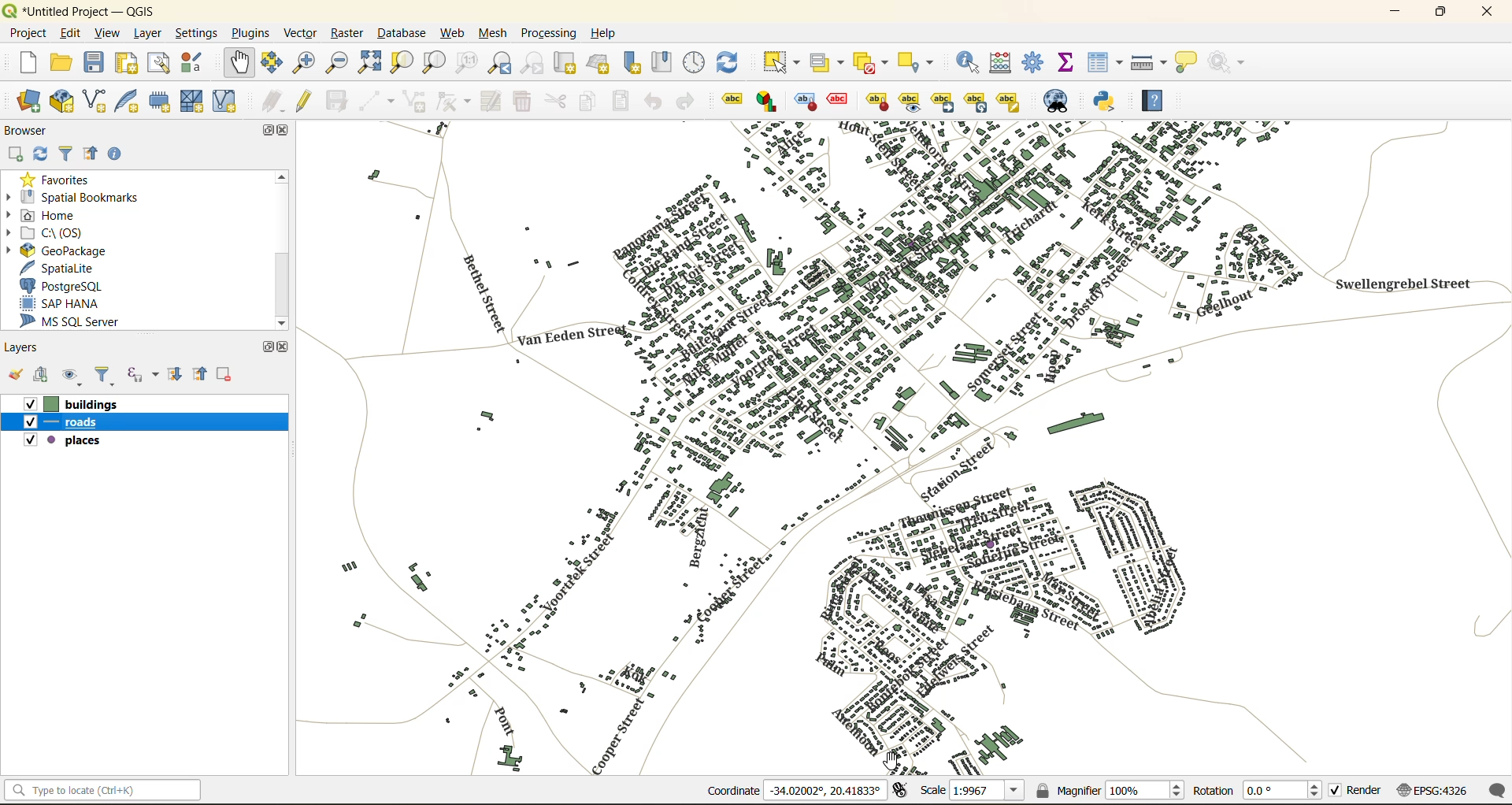  I want to click on metasearch, so click(1059, 100).